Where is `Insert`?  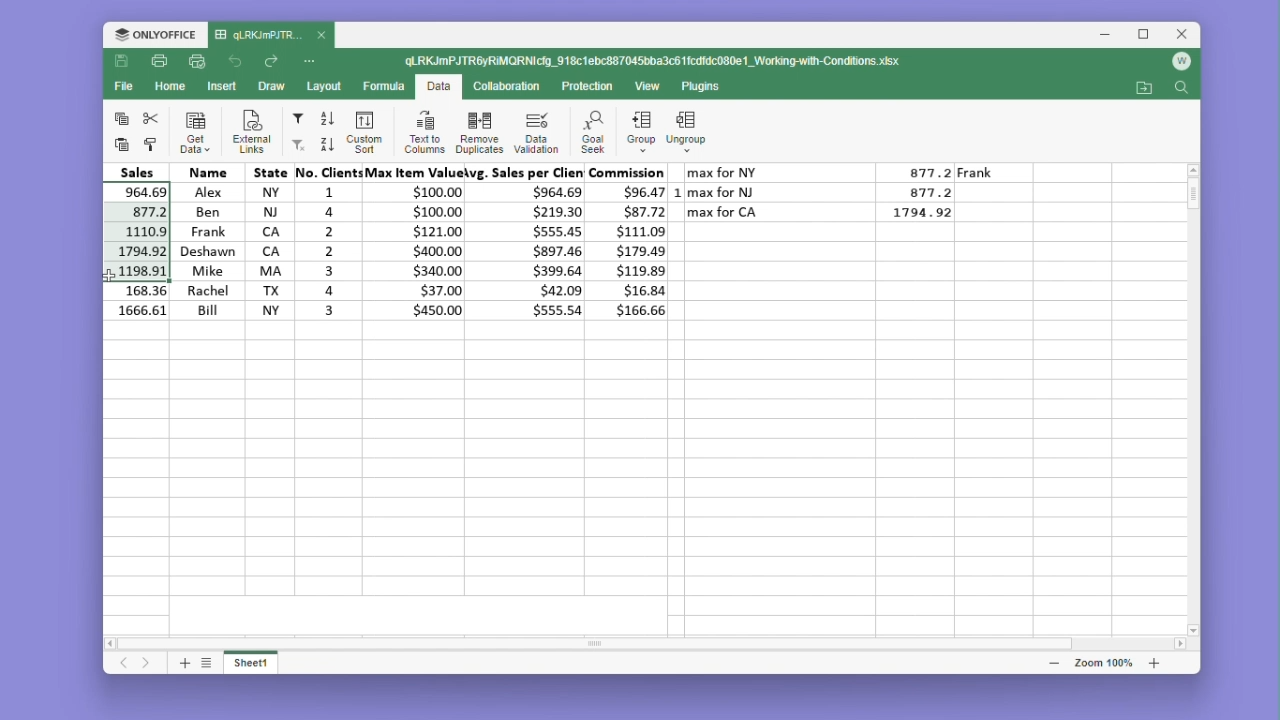 Insert is located at coordinates (222, 85).